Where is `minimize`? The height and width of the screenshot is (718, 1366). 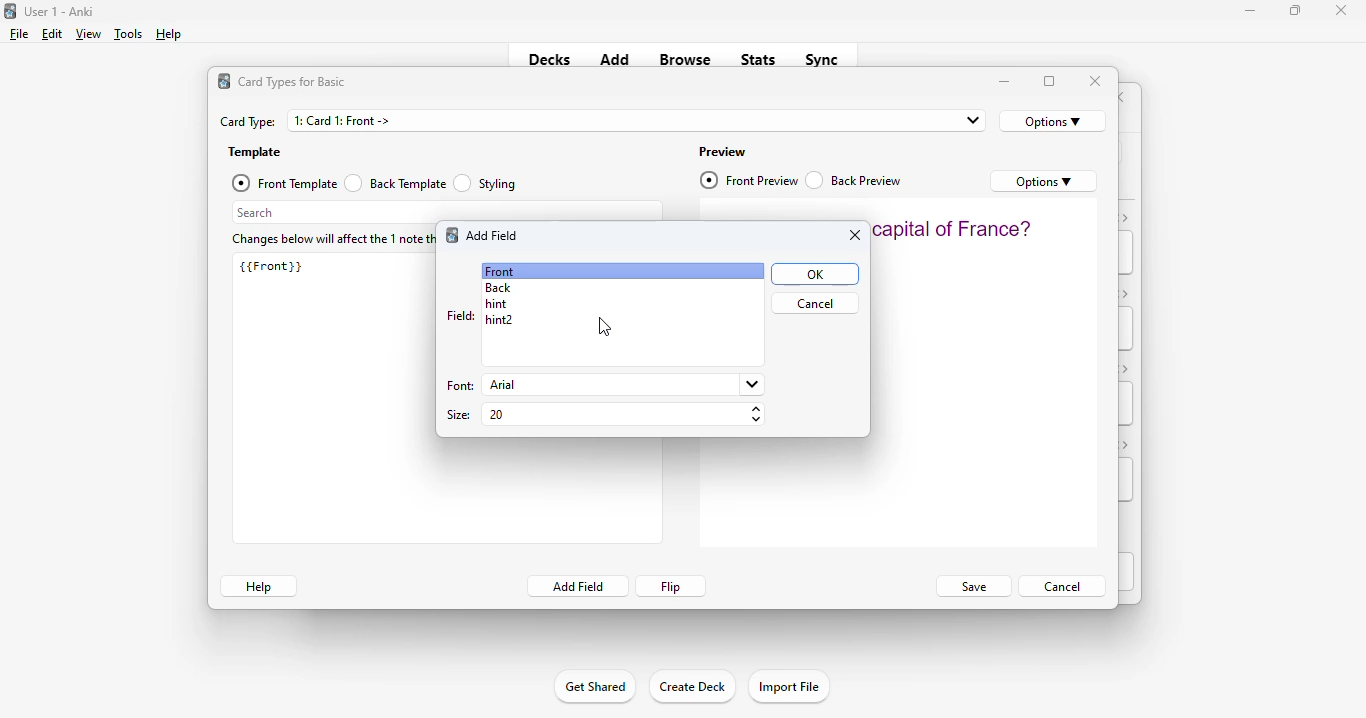 minimize is located at coordinates (1251, 10).